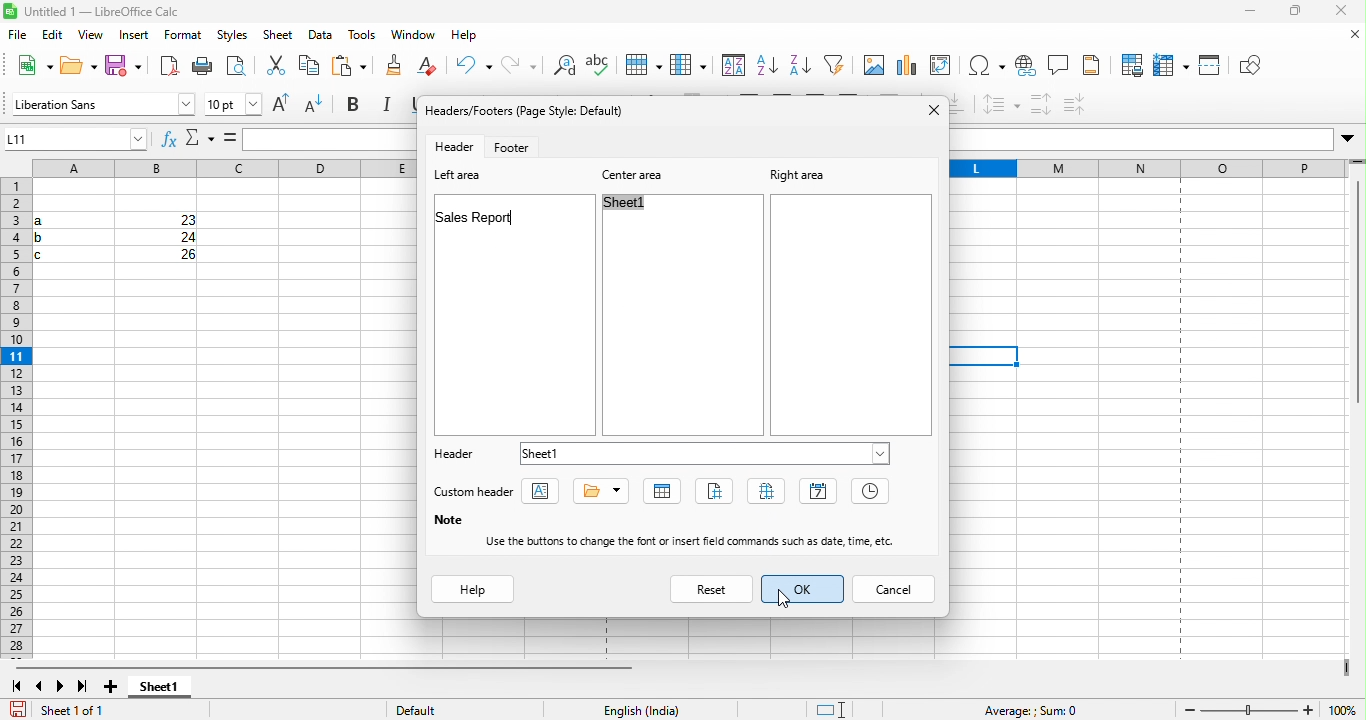  What do you see at coordinates (477, 589) in the screenshot?
I see `help` at bounding box center [477, 589].